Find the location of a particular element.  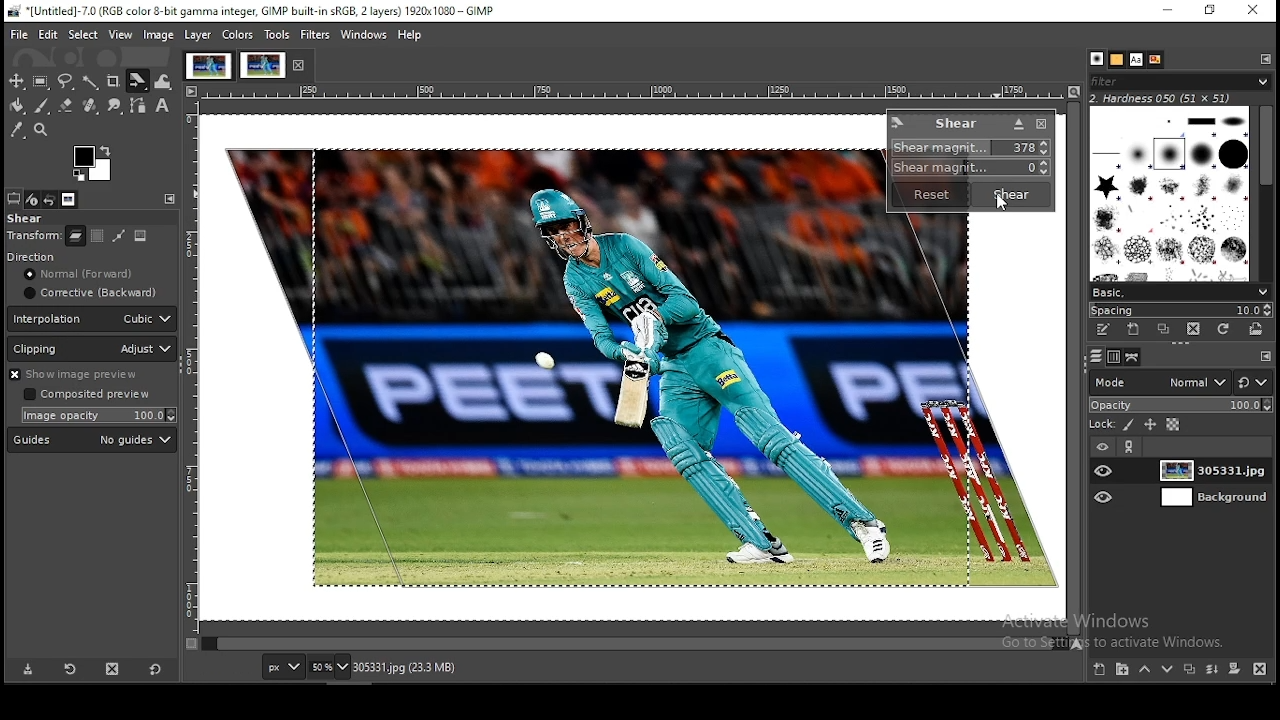

layer visibility on/off is located at coordinates (1106, 496).